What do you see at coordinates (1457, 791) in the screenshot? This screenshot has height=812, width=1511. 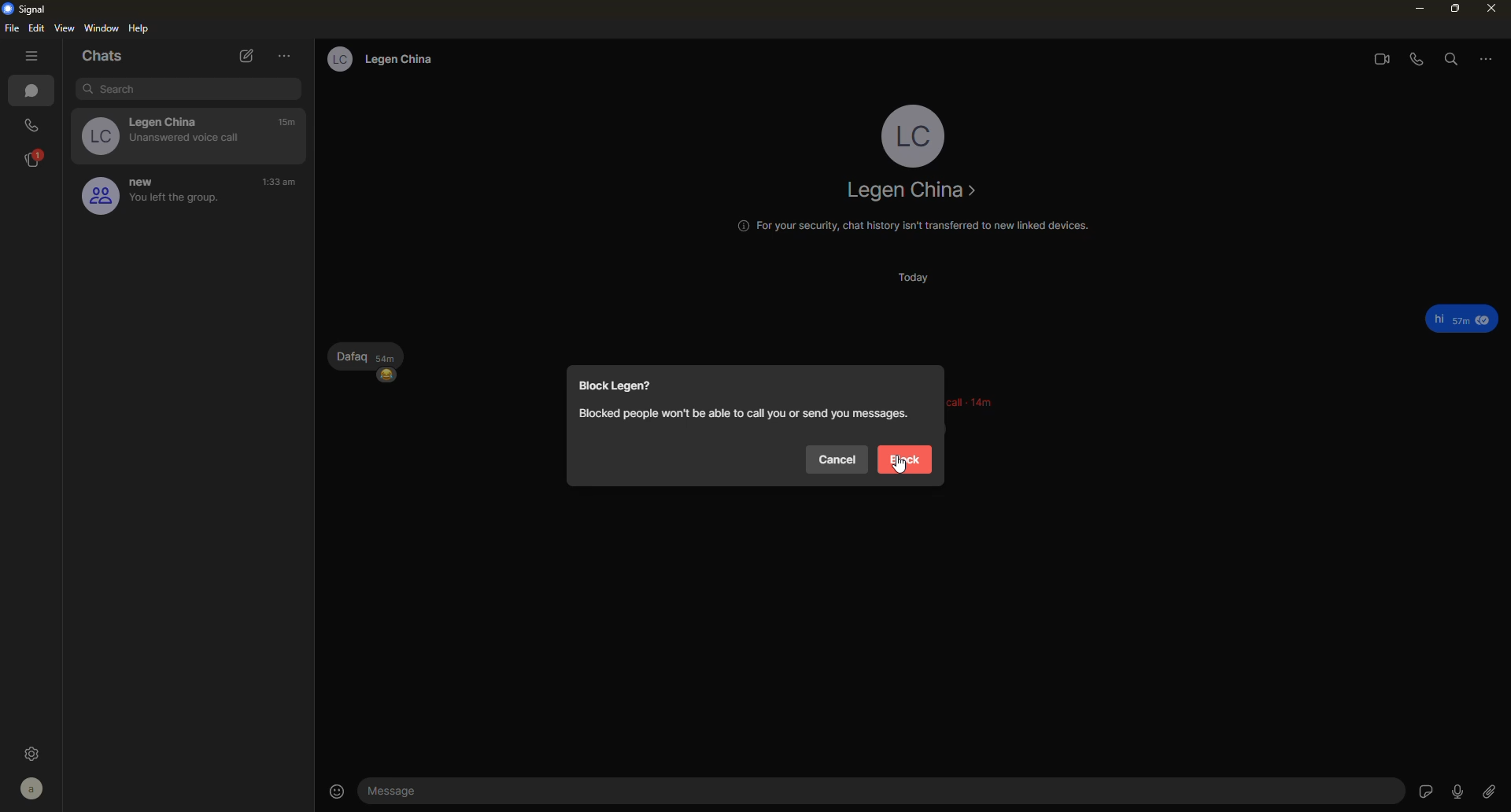 I see `record` at bounding box center [1457, 791].